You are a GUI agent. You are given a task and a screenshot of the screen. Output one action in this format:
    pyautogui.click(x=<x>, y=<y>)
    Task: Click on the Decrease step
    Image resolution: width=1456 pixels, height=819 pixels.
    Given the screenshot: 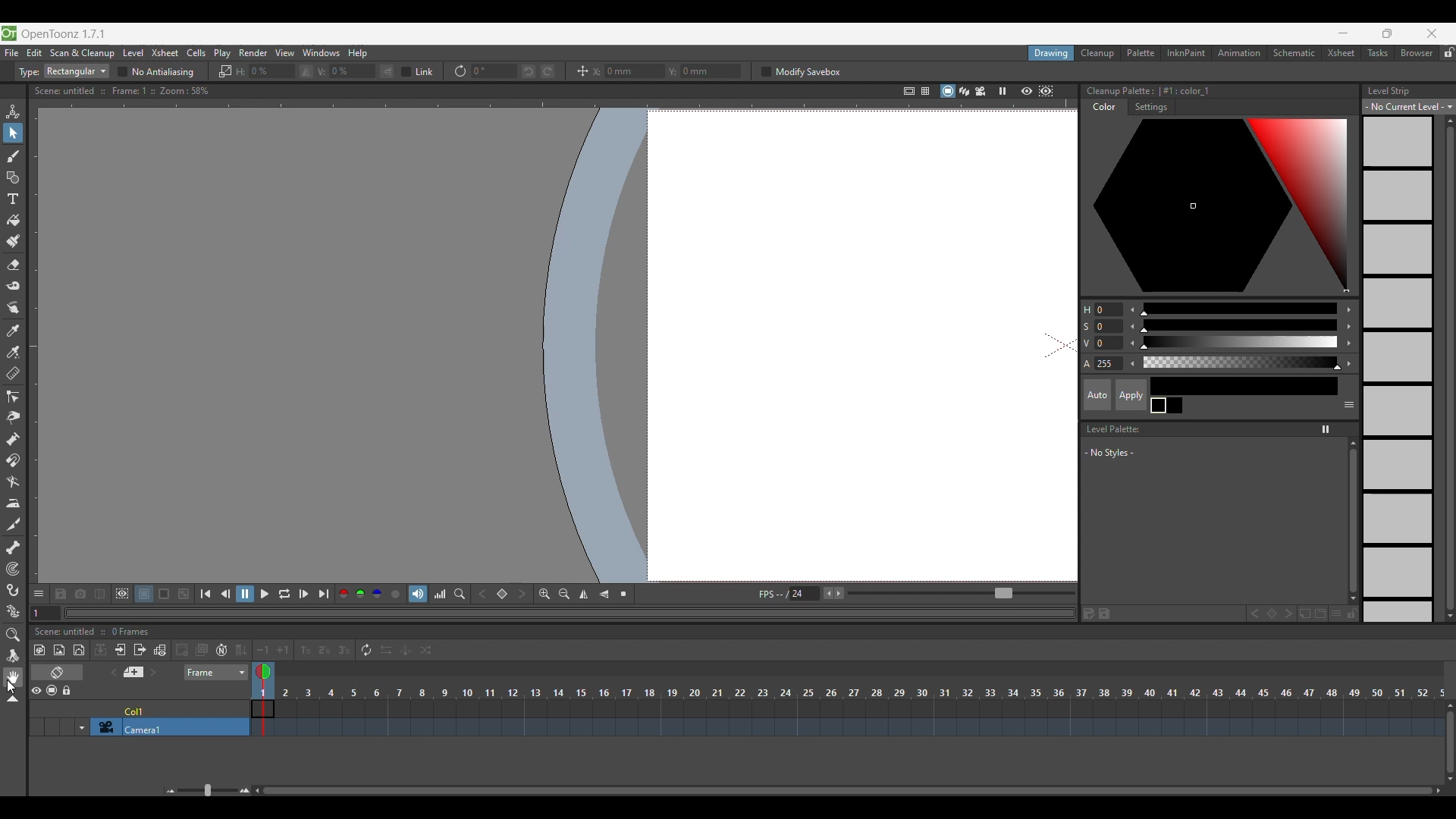 What is the action you would take?
    pyautogui.click(x=262, y=650)
    